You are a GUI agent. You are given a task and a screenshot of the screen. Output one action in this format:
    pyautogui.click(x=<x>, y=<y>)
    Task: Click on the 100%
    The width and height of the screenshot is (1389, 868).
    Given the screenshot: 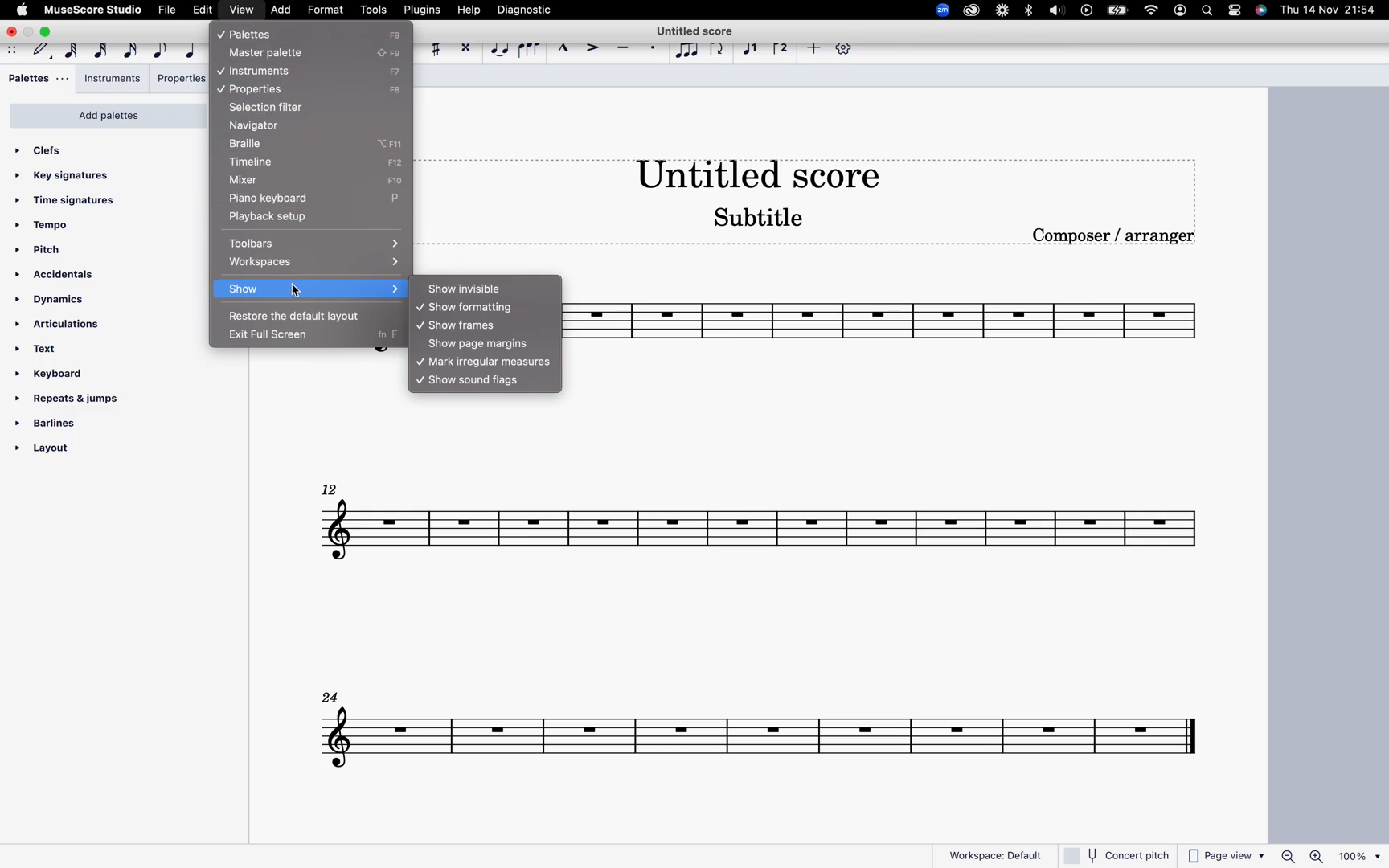 What is the action you would take?
    pyautogui.click(x=1359, y=855)
    